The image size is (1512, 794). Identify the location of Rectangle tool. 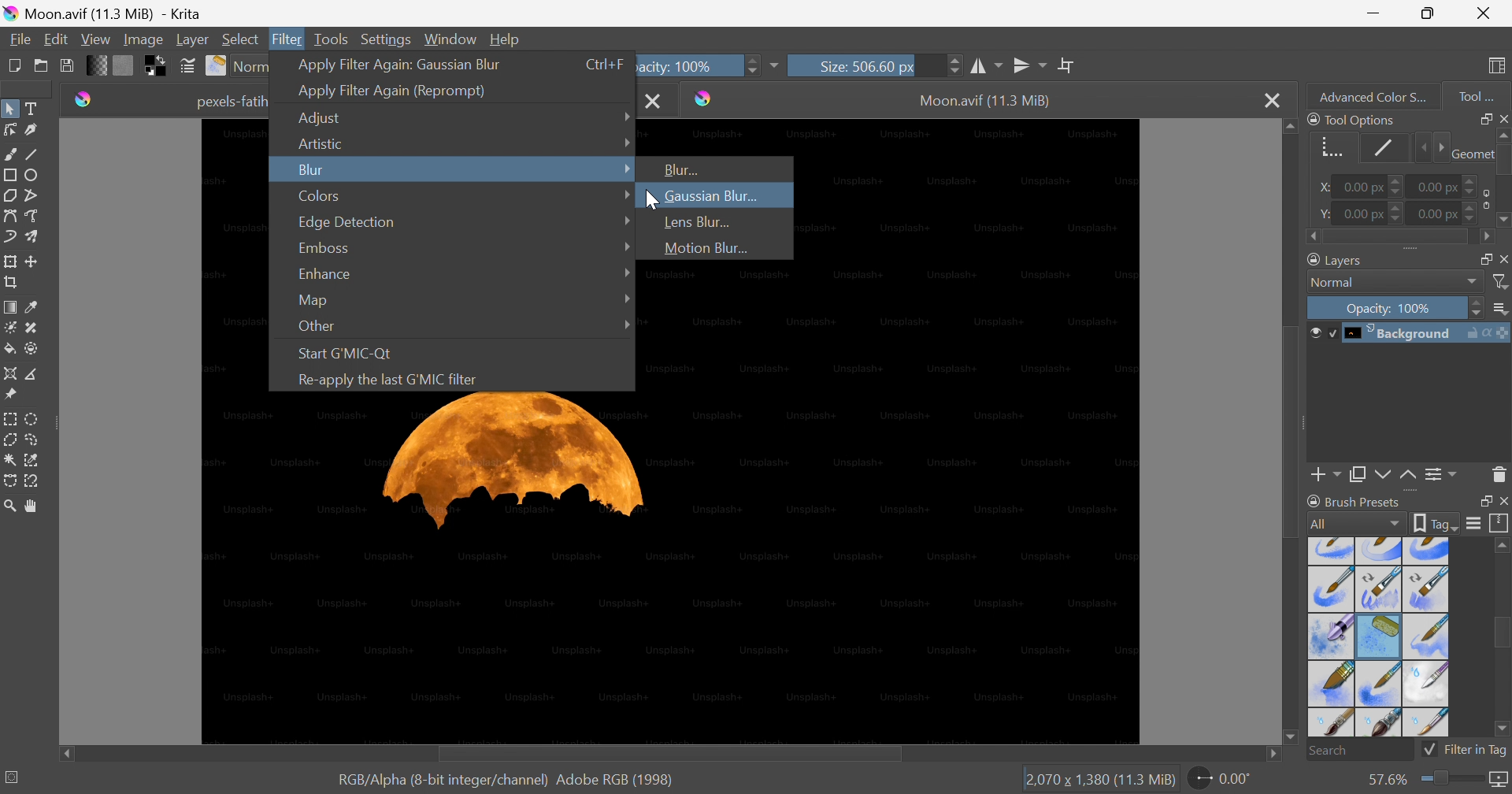
(9, 175).